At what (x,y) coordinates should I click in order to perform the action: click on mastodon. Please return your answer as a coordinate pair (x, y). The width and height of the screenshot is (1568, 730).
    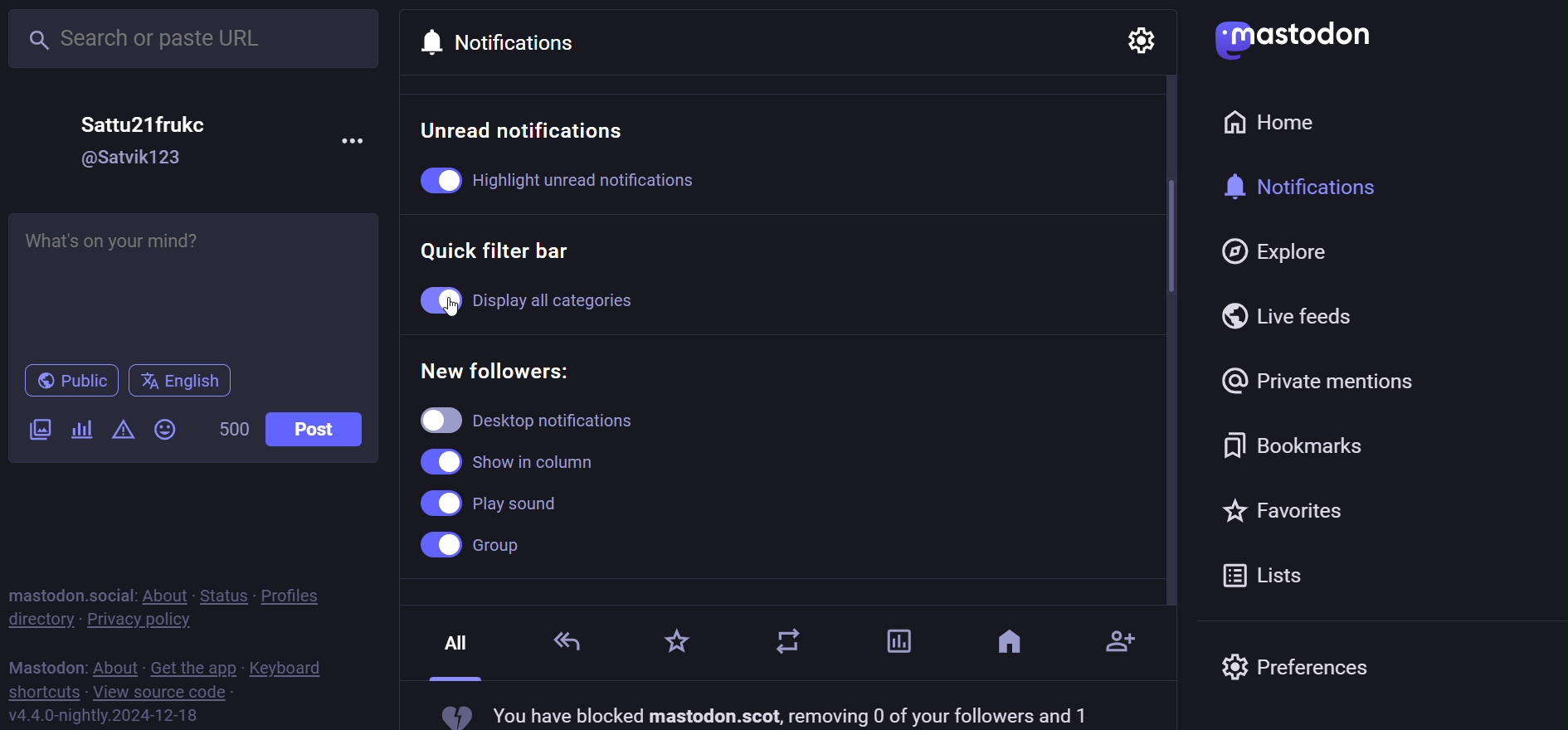
    Looking at the image, I should click on (1292, 38).